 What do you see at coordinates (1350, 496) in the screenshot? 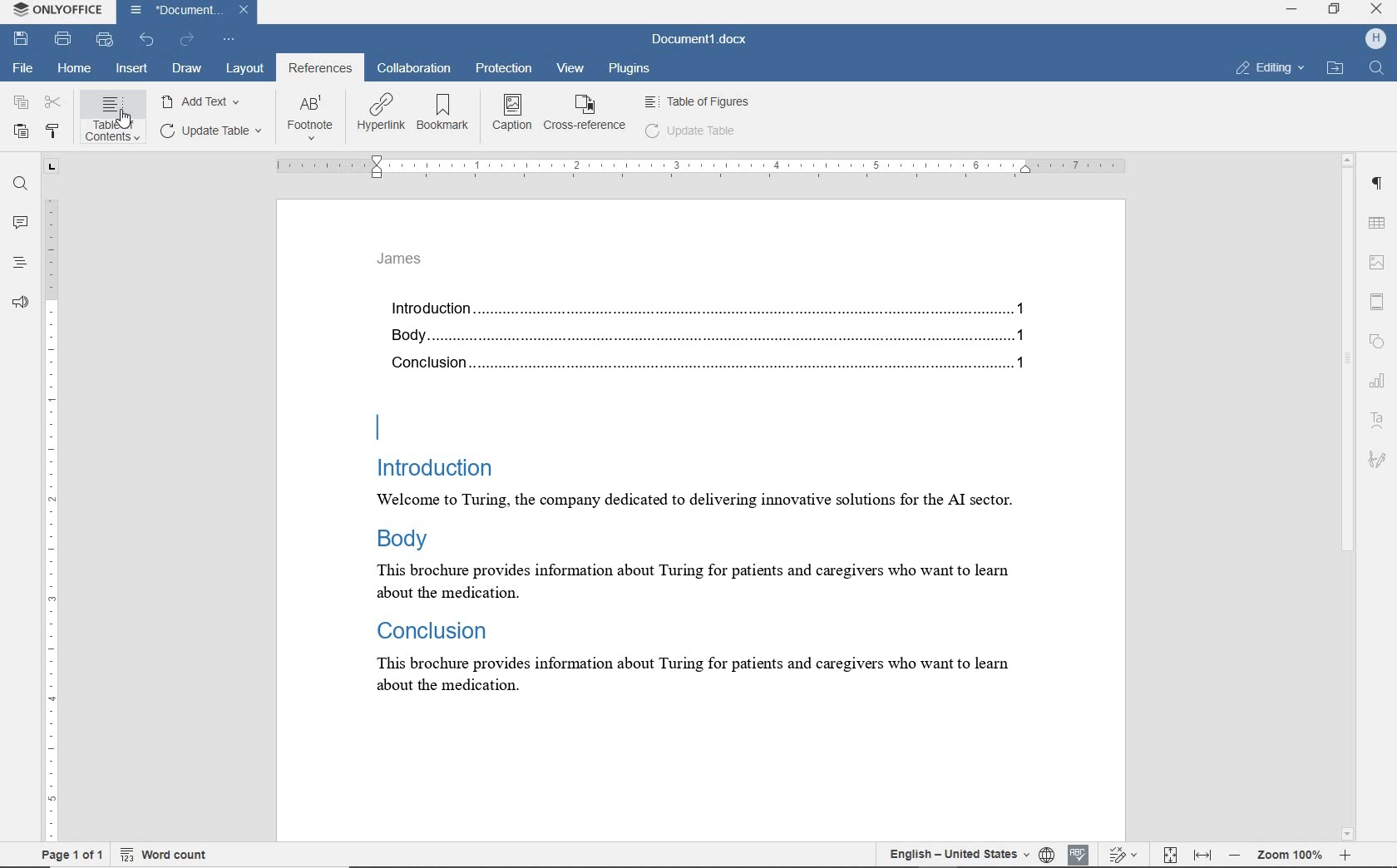
I see `scrollbar` at bounding box center [1350, 496].